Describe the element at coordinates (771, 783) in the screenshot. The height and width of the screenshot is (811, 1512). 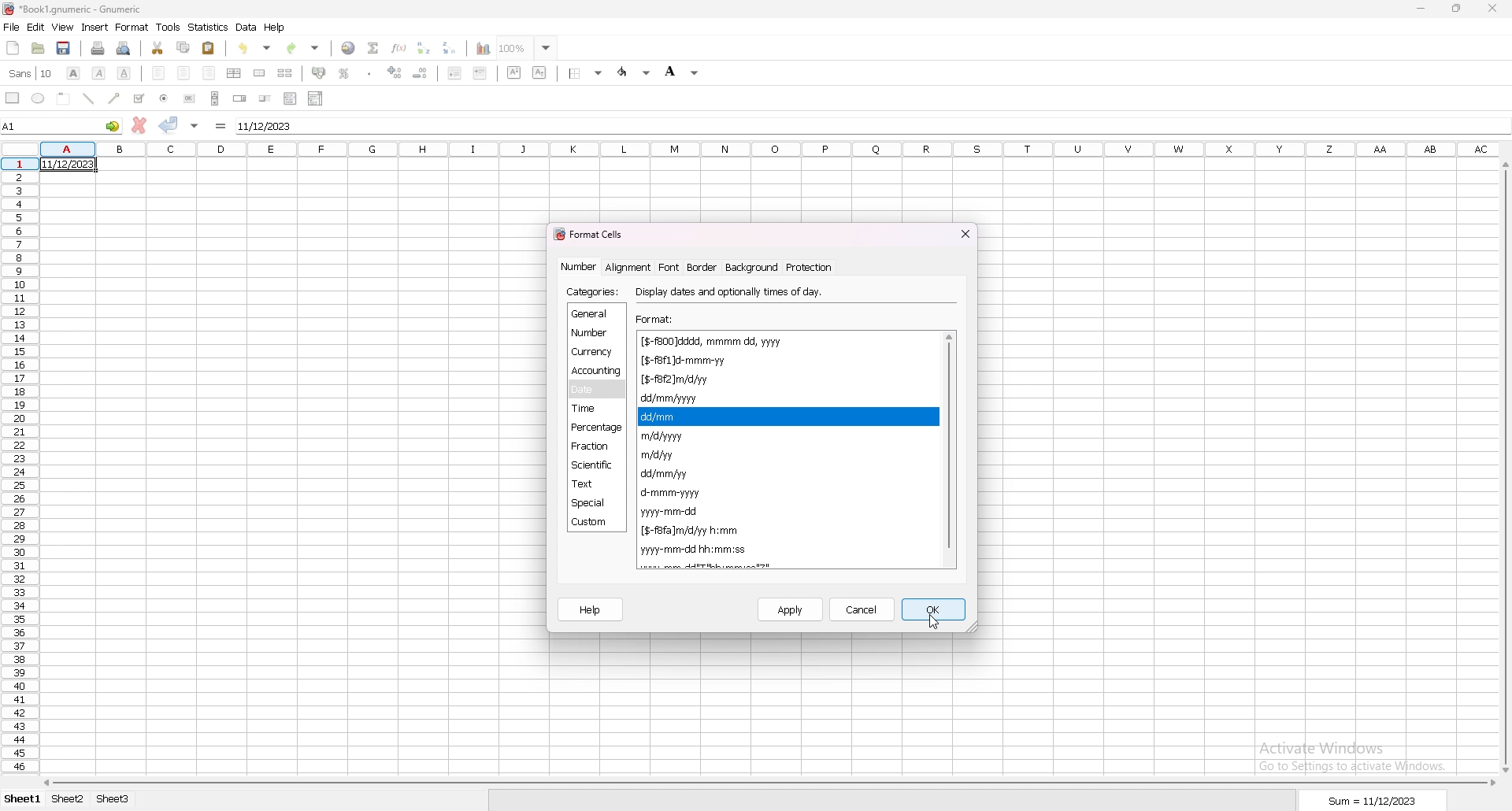
I see `scroll bar` at that location.